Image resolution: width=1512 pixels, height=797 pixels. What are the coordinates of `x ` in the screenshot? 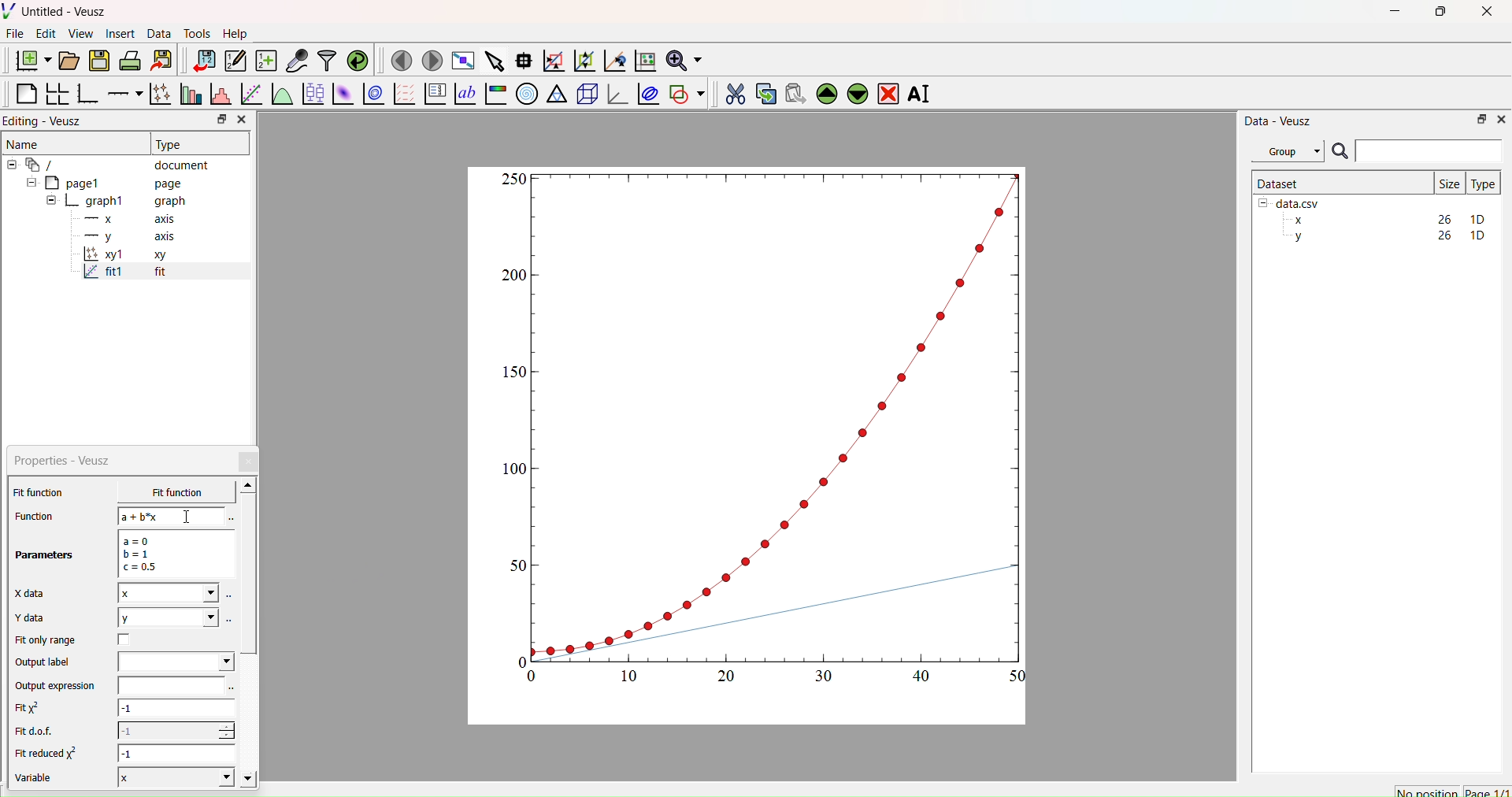 It's located at (168, 593).